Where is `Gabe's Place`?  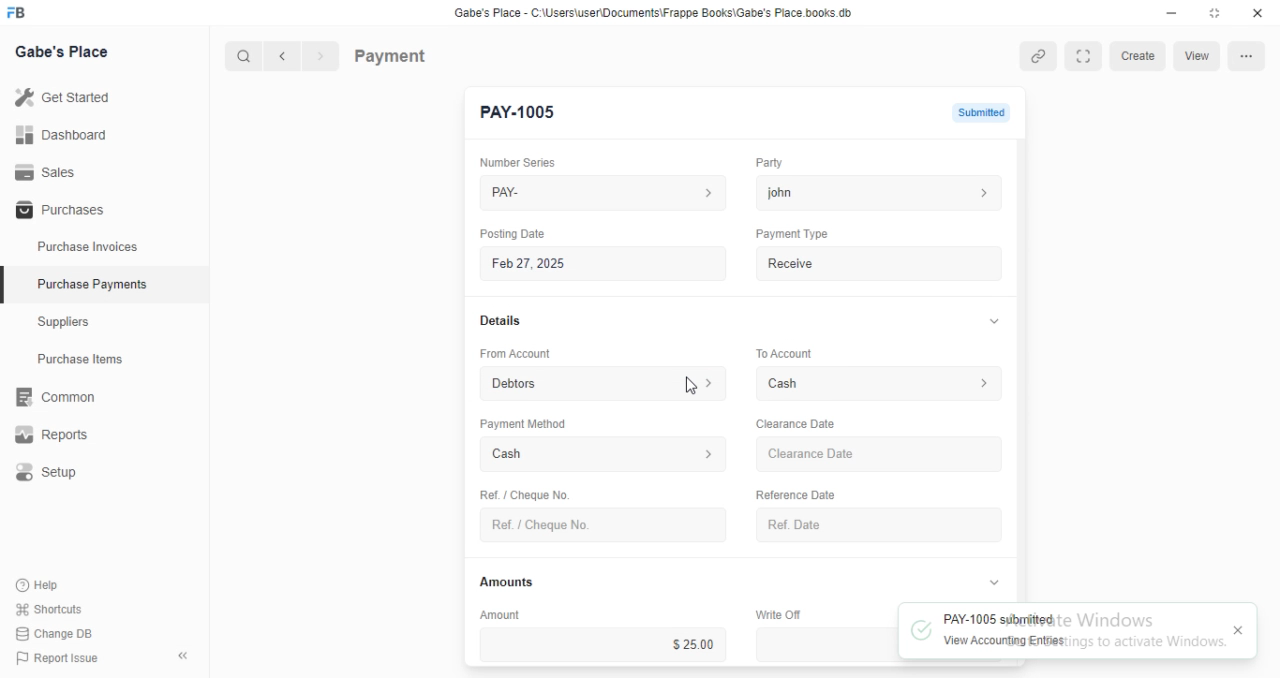 Gabe's Place is located at coordinates (66, 53).